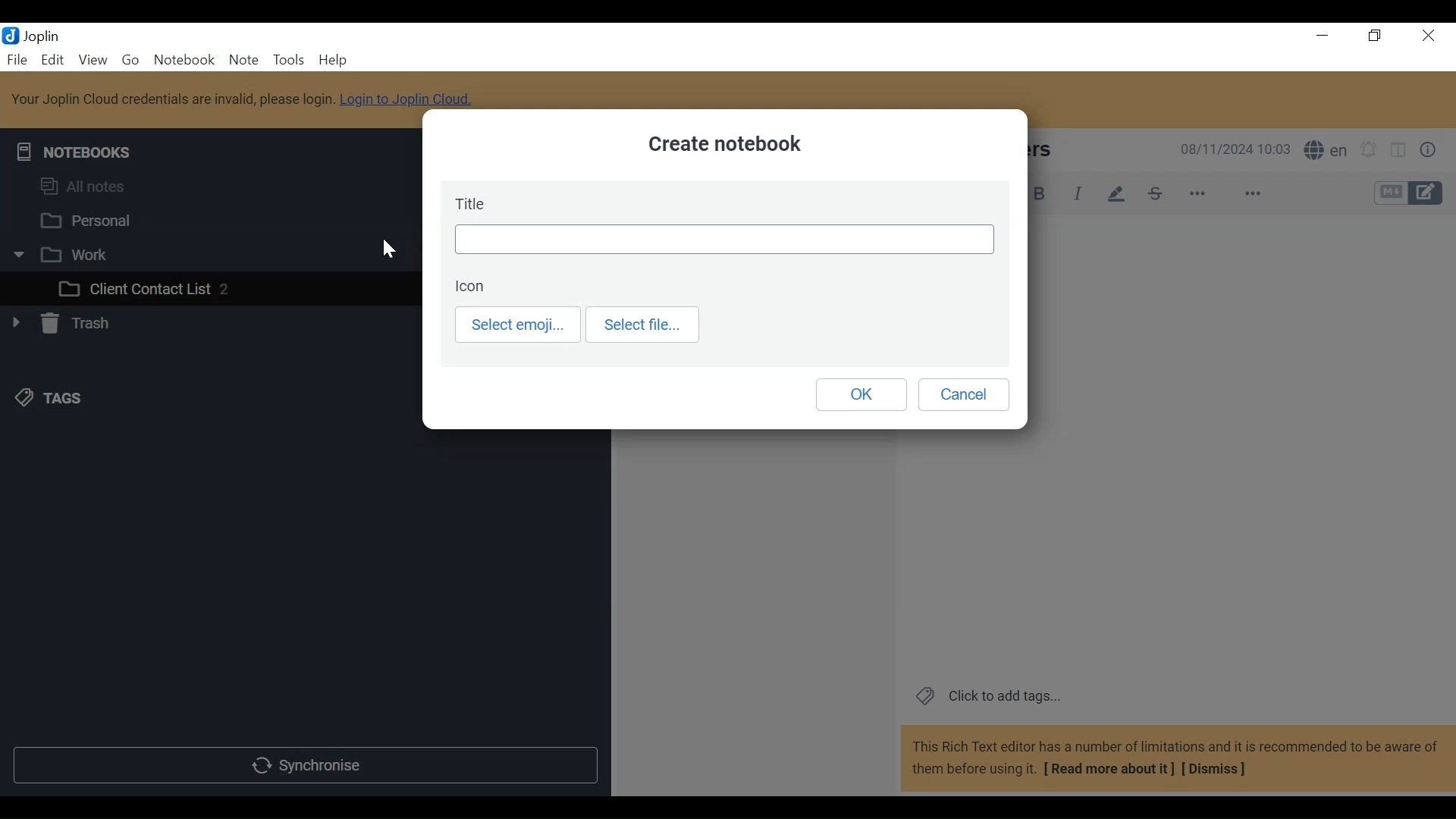  I want to click on Toggle Editor, so click(1407, 193).